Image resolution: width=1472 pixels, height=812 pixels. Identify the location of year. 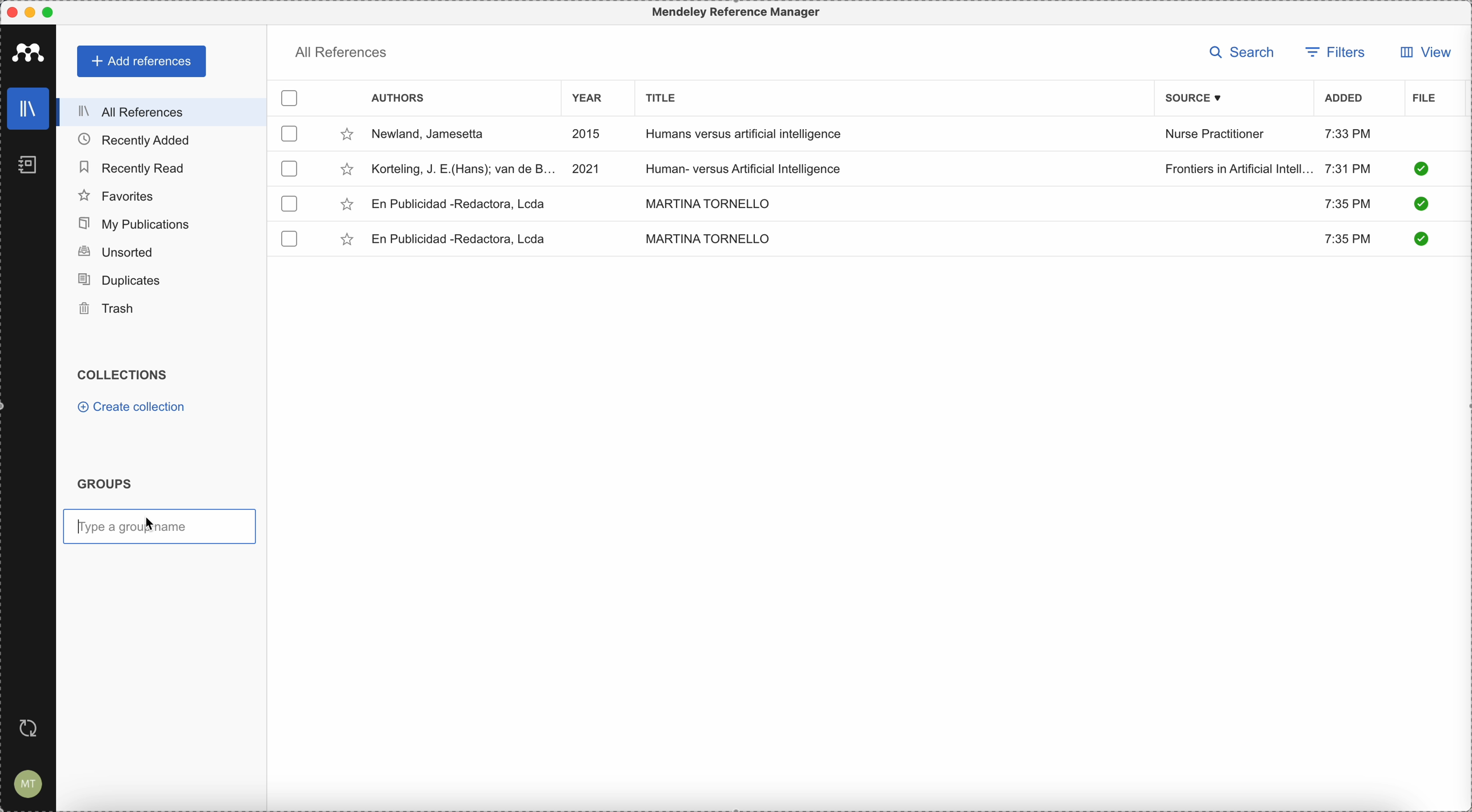
(594, 100).